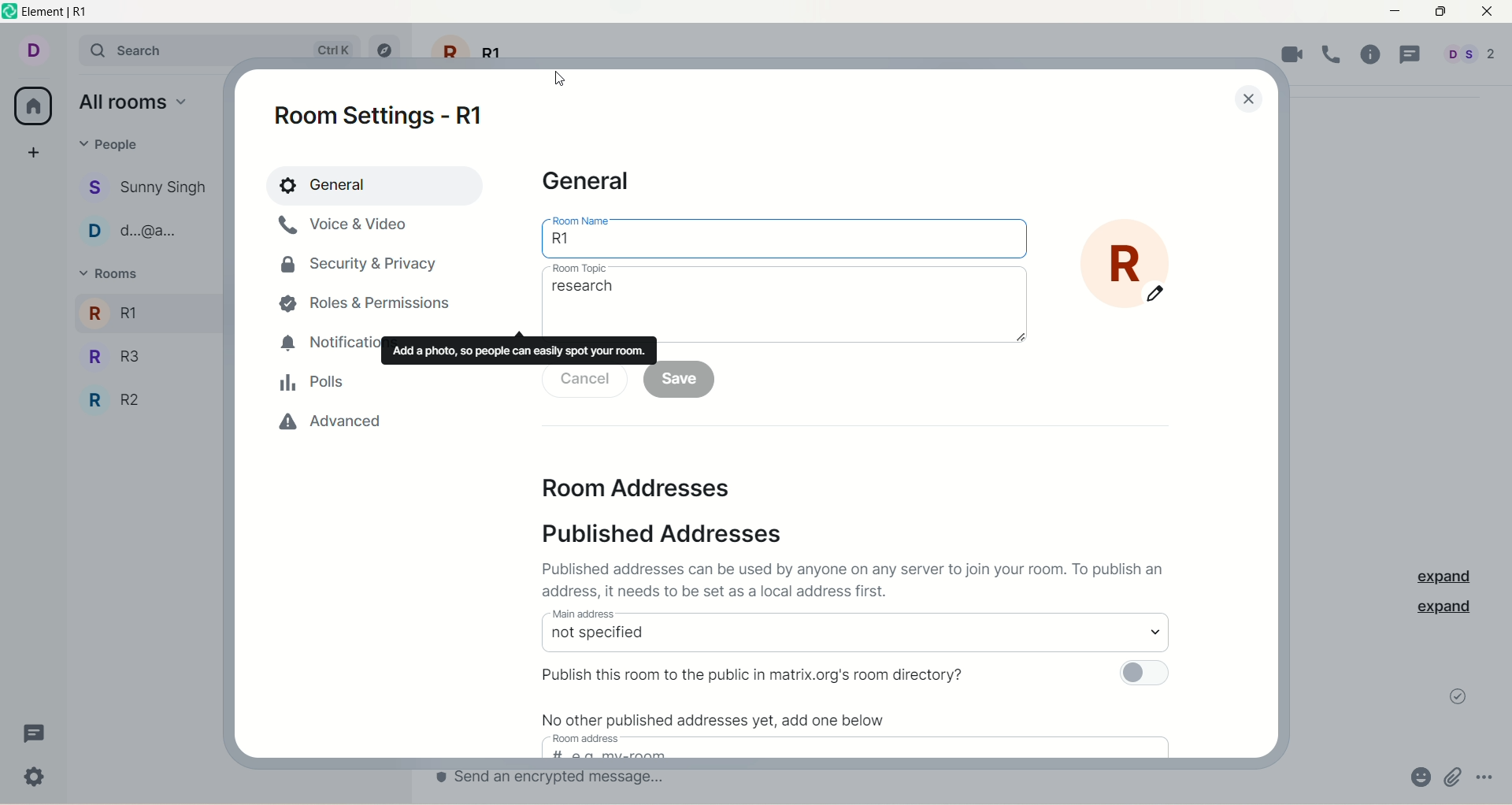 The width and height of the screenshot is (1512, 805). What do you see at coordinates (670, 531) in the screenshot?
I see `published addresses` at bounding box center [670, 531].